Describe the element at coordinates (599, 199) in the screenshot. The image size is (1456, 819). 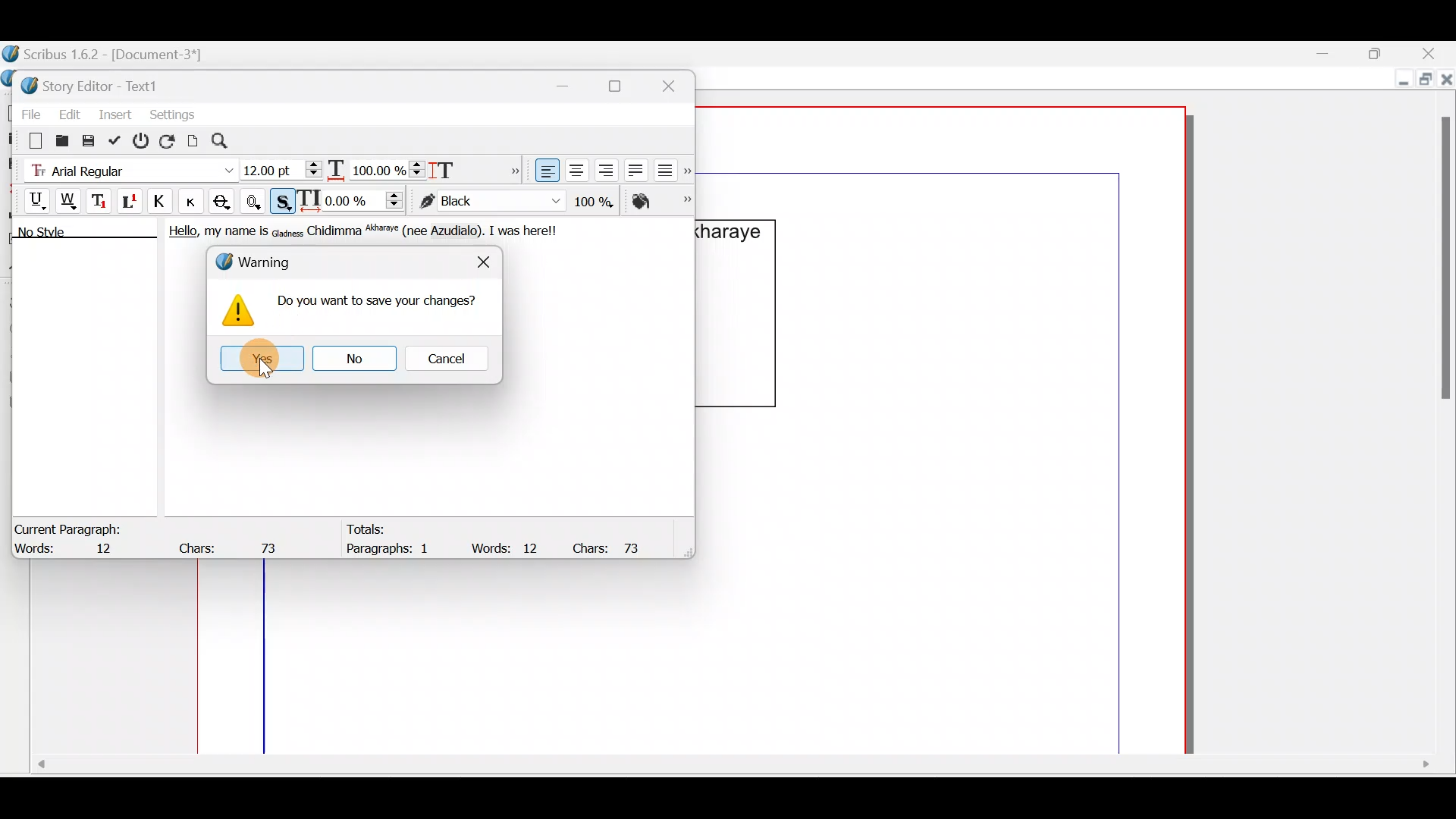
I see `Saturation of color of text stroke` at that location.